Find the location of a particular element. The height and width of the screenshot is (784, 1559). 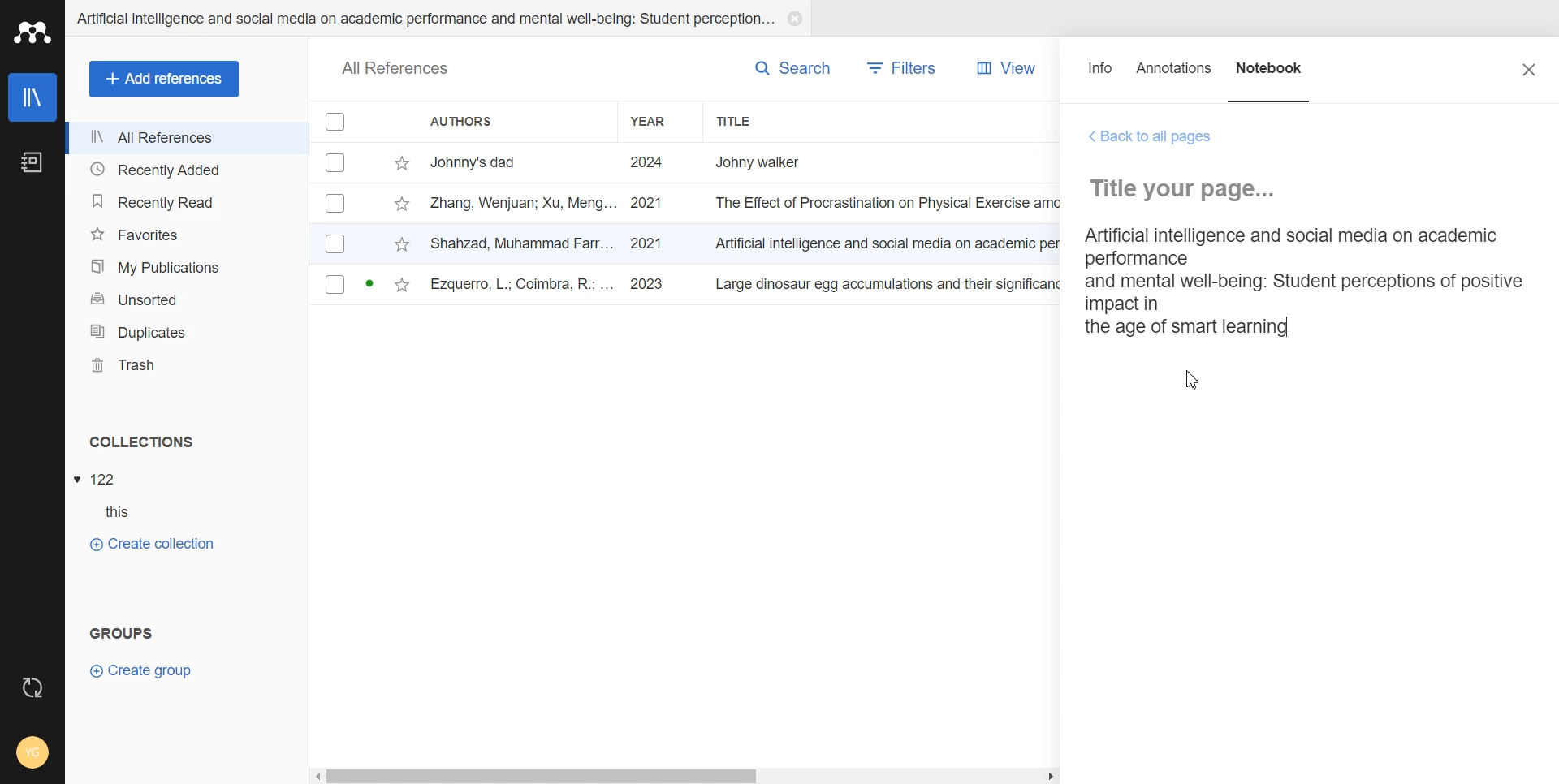

Checkbox is located at coordinates (338, 162).